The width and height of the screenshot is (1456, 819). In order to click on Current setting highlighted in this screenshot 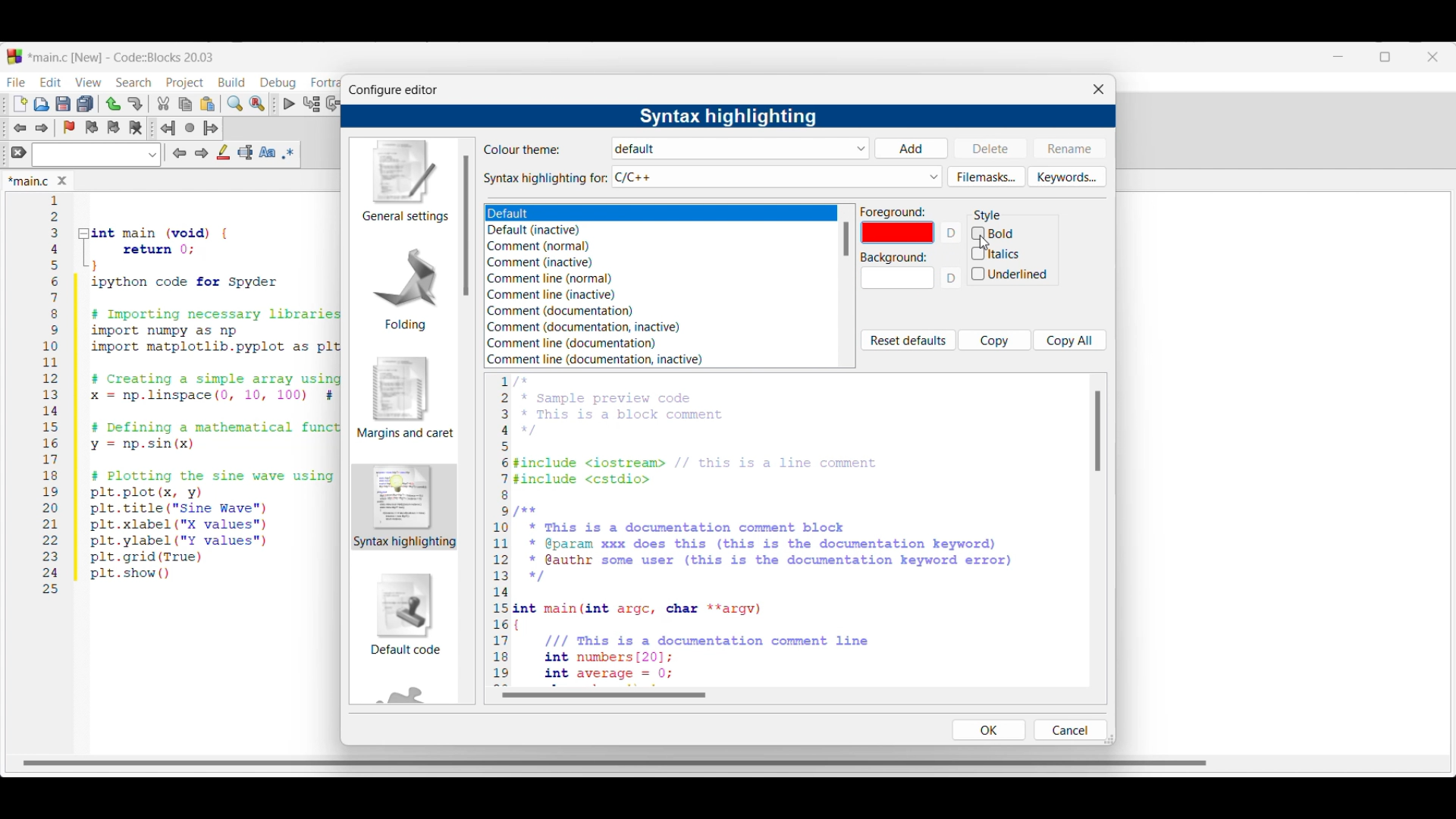, I will do `click(405, 507)`.